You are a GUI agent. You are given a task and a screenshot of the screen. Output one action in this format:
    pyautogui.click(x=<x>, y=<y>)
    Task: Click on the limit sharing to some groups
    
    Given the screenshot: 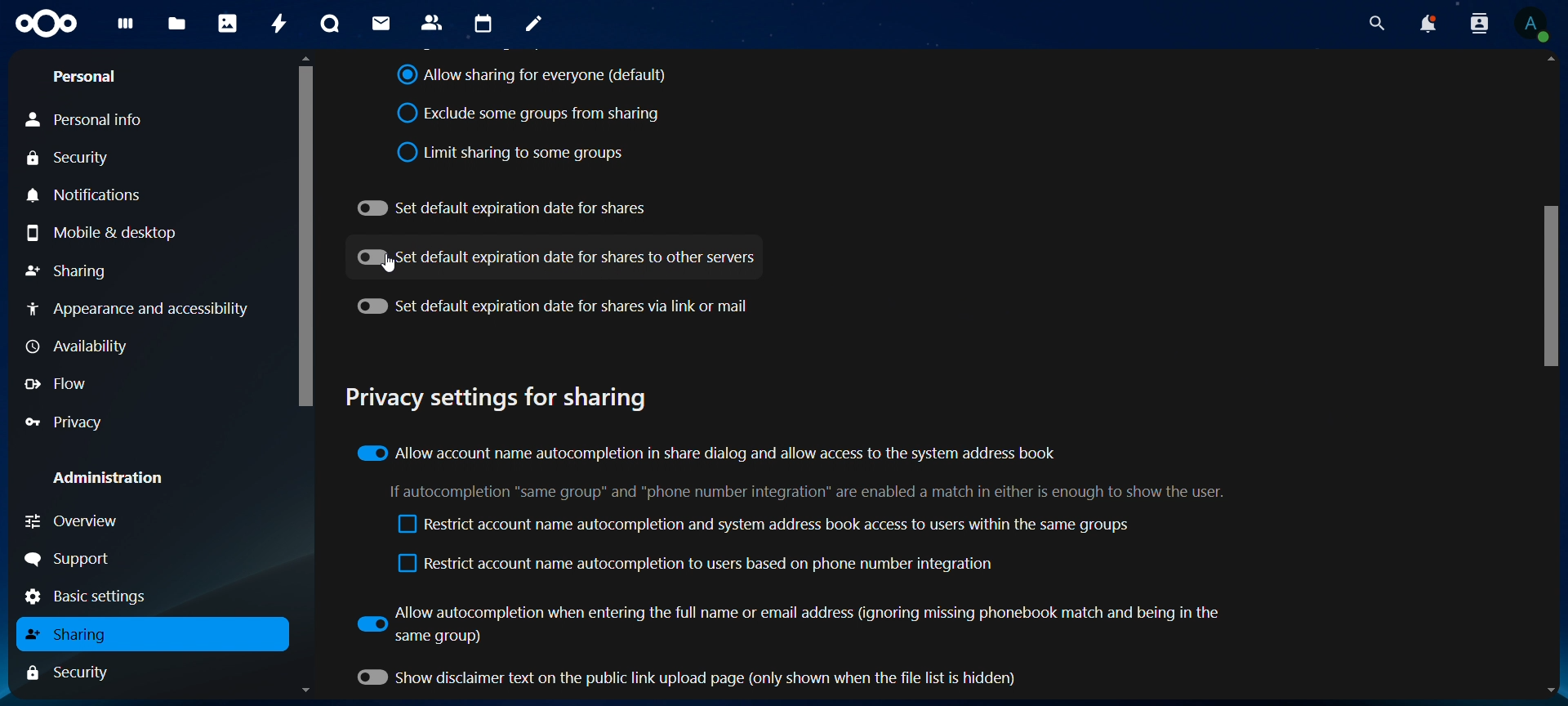 What is the action you would take?
    pyautogui.click(x=510, y=152)
    